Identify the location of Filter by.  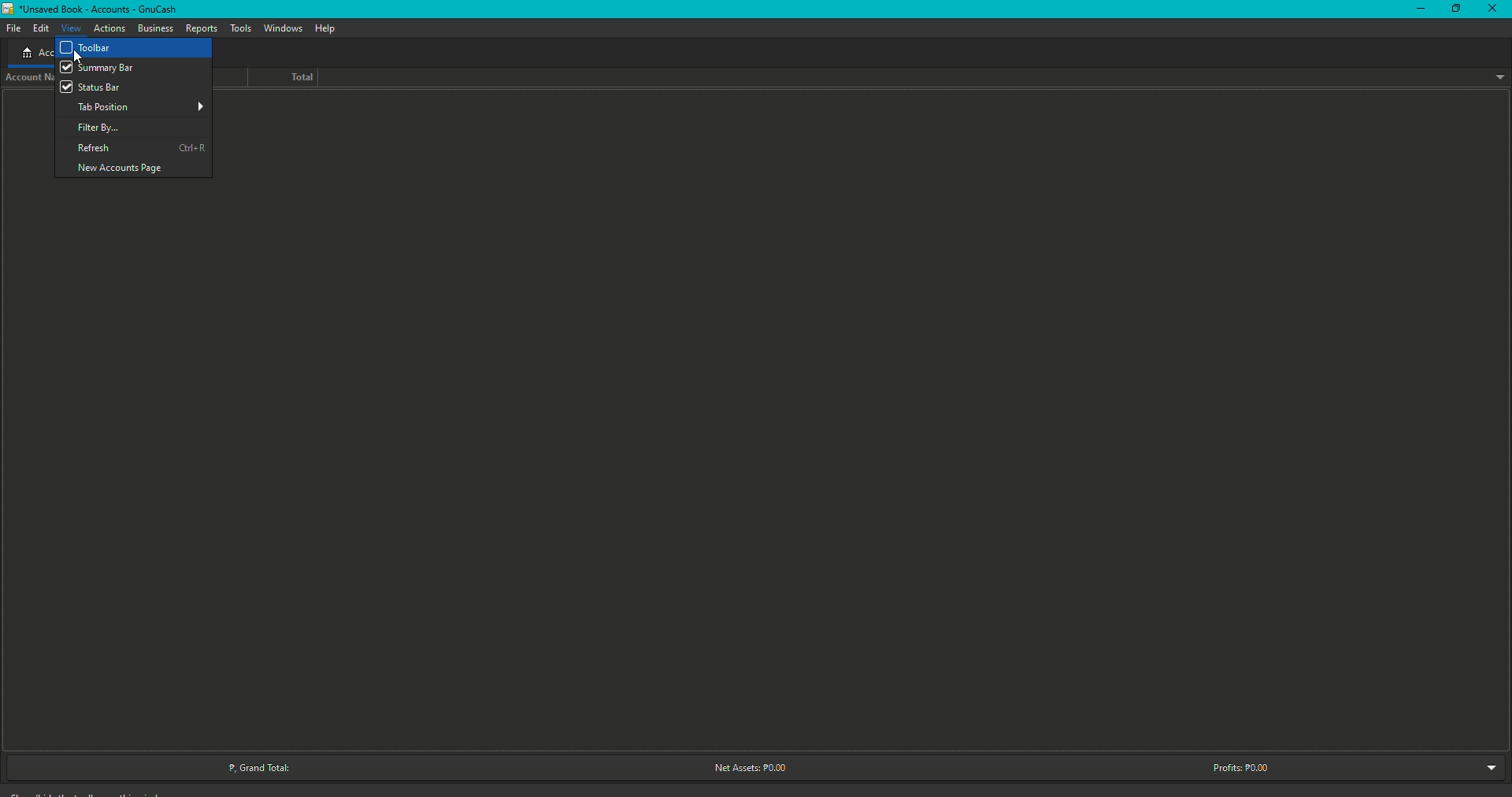
(101, 128).